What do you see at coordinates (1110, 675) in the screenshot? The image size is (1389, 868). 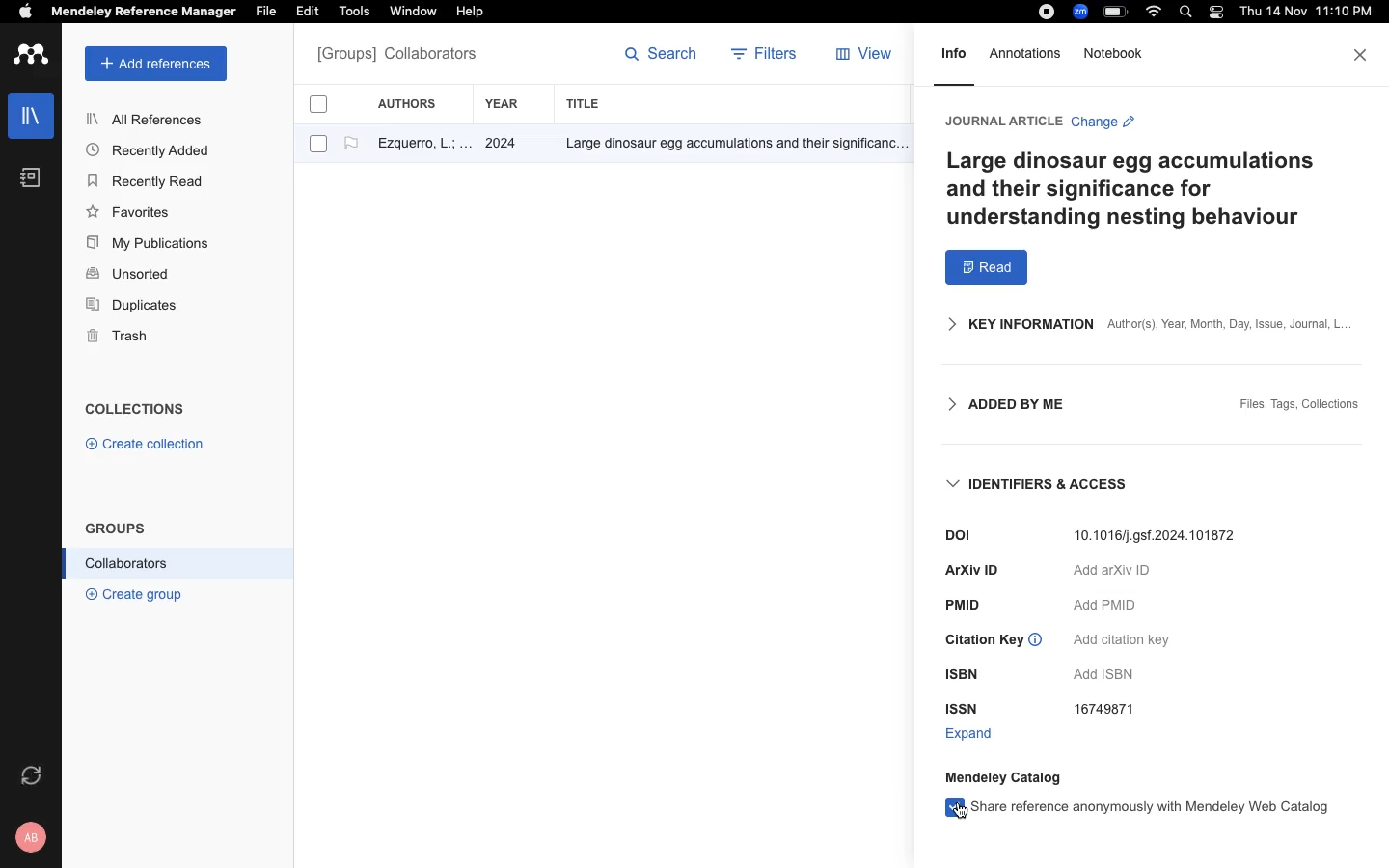 I see `‘Add ISBN` at bounding box center [1110, 675].